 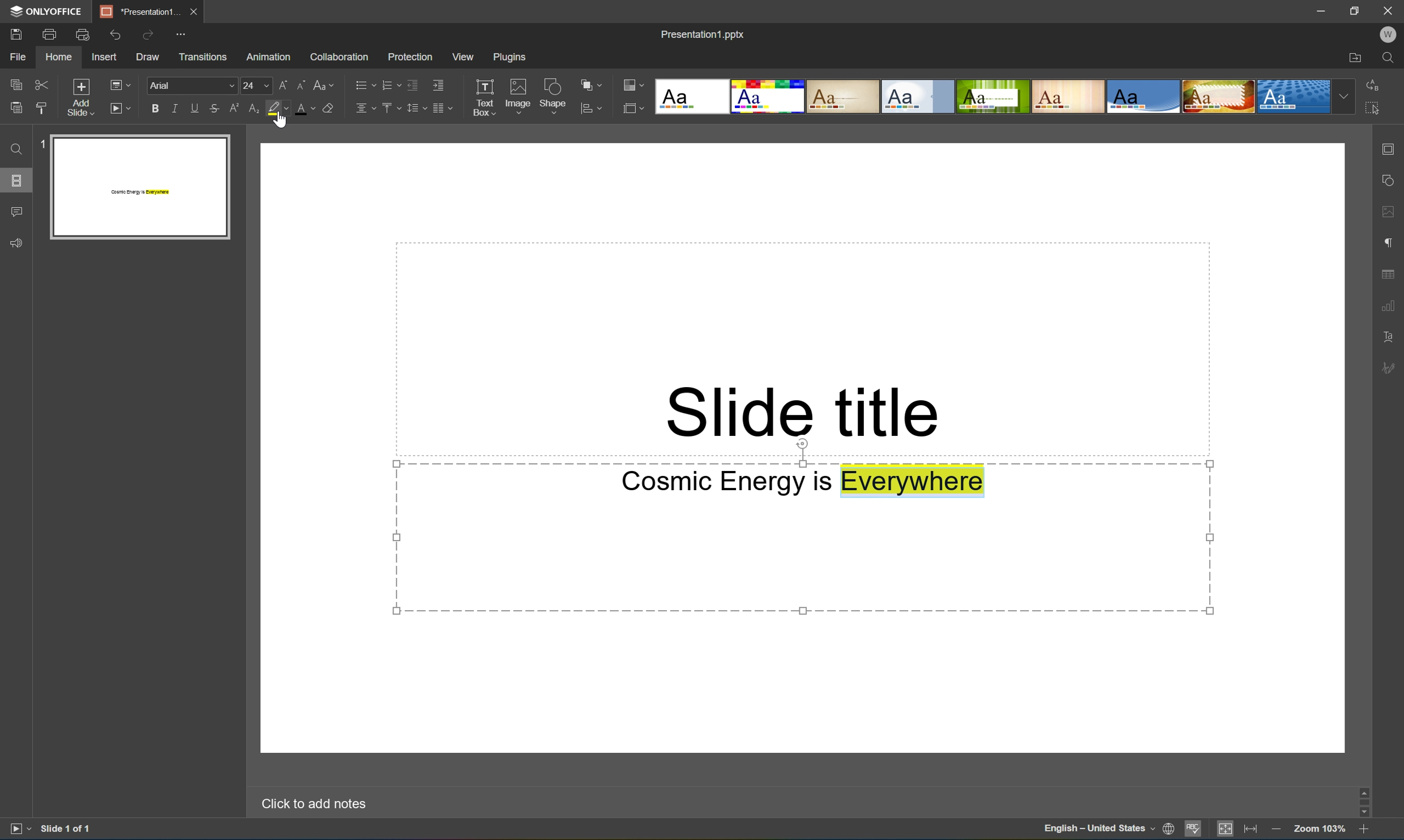 I want to click on Arrange shape, so click(x=587, y=82).